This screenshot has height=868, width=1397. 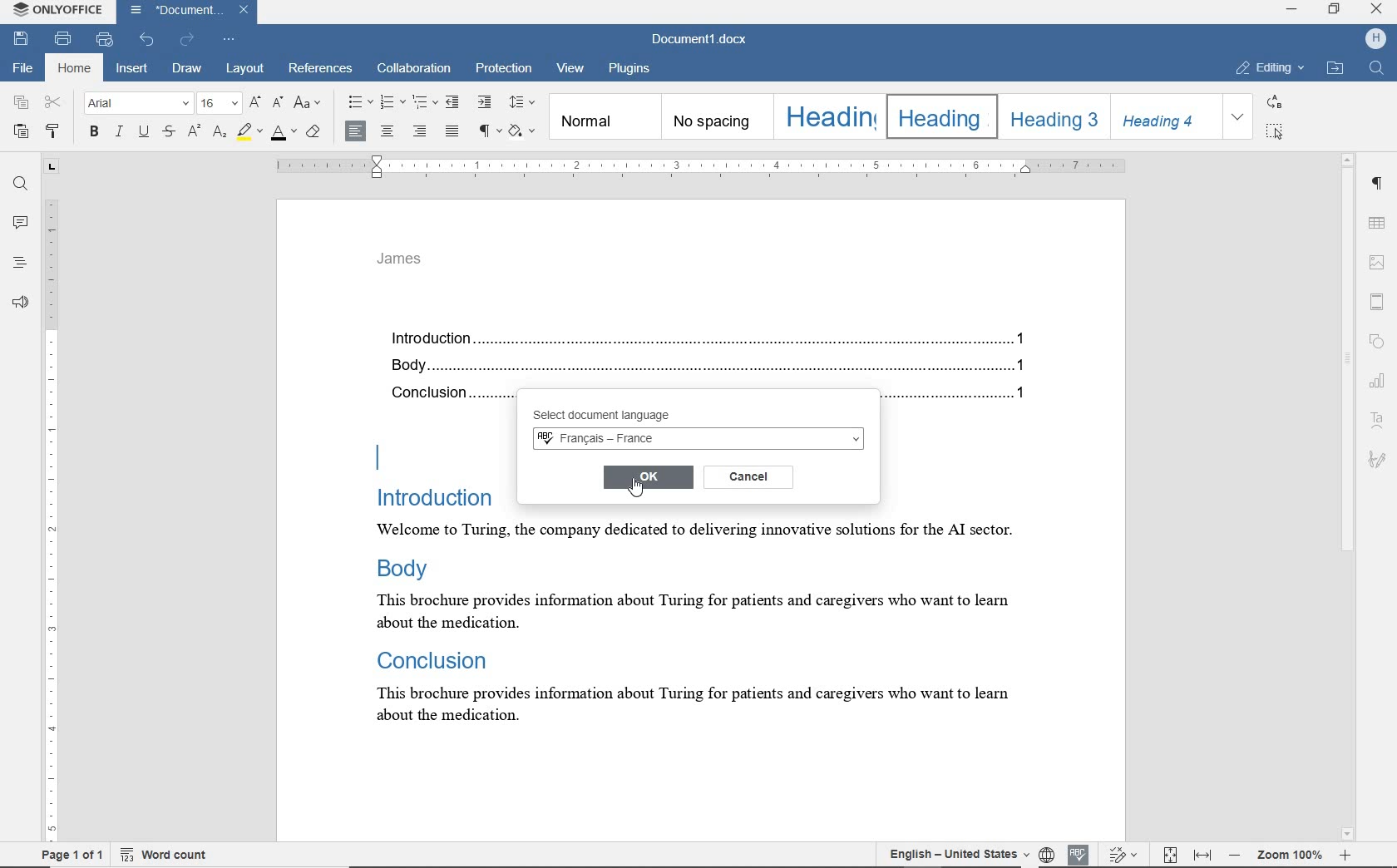 What do you see at coordinates (120, 132) in the screenshot?
I see `italic` at bounding box center [120, 132].